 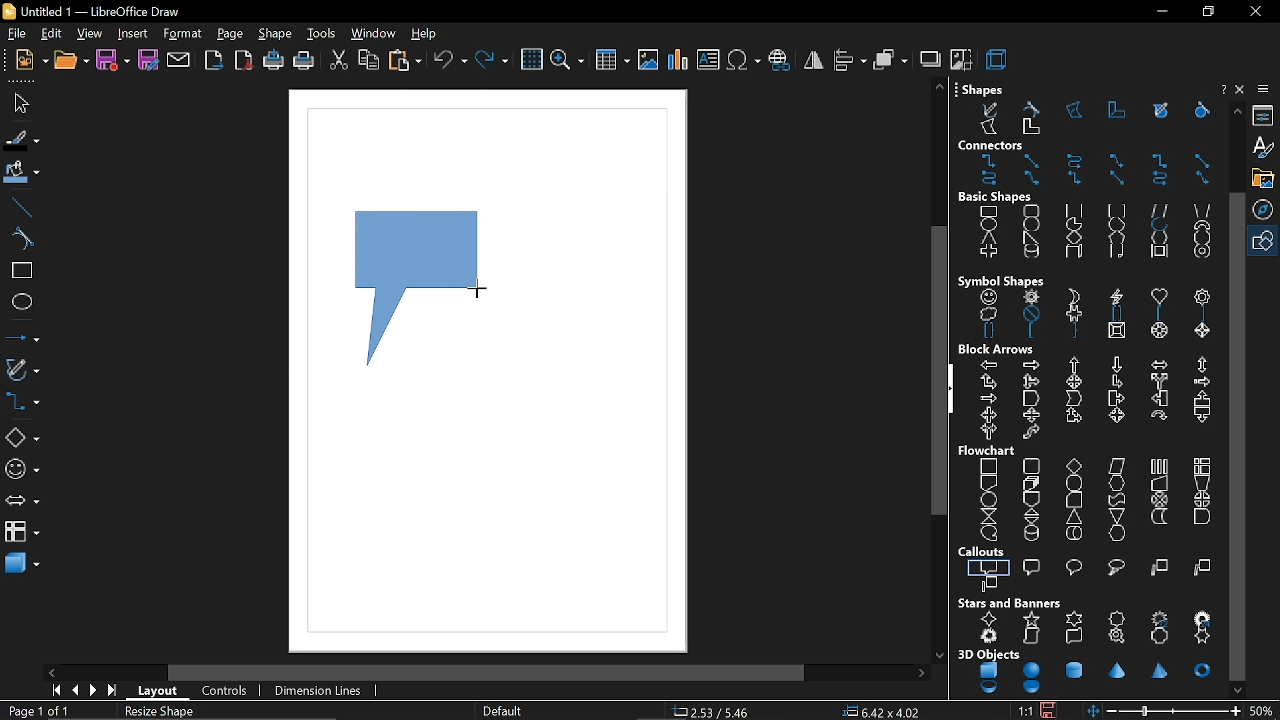 What do you see at coordinates (374, 34) in the screenshot?
I see `window` at bounding box center [374, 34].